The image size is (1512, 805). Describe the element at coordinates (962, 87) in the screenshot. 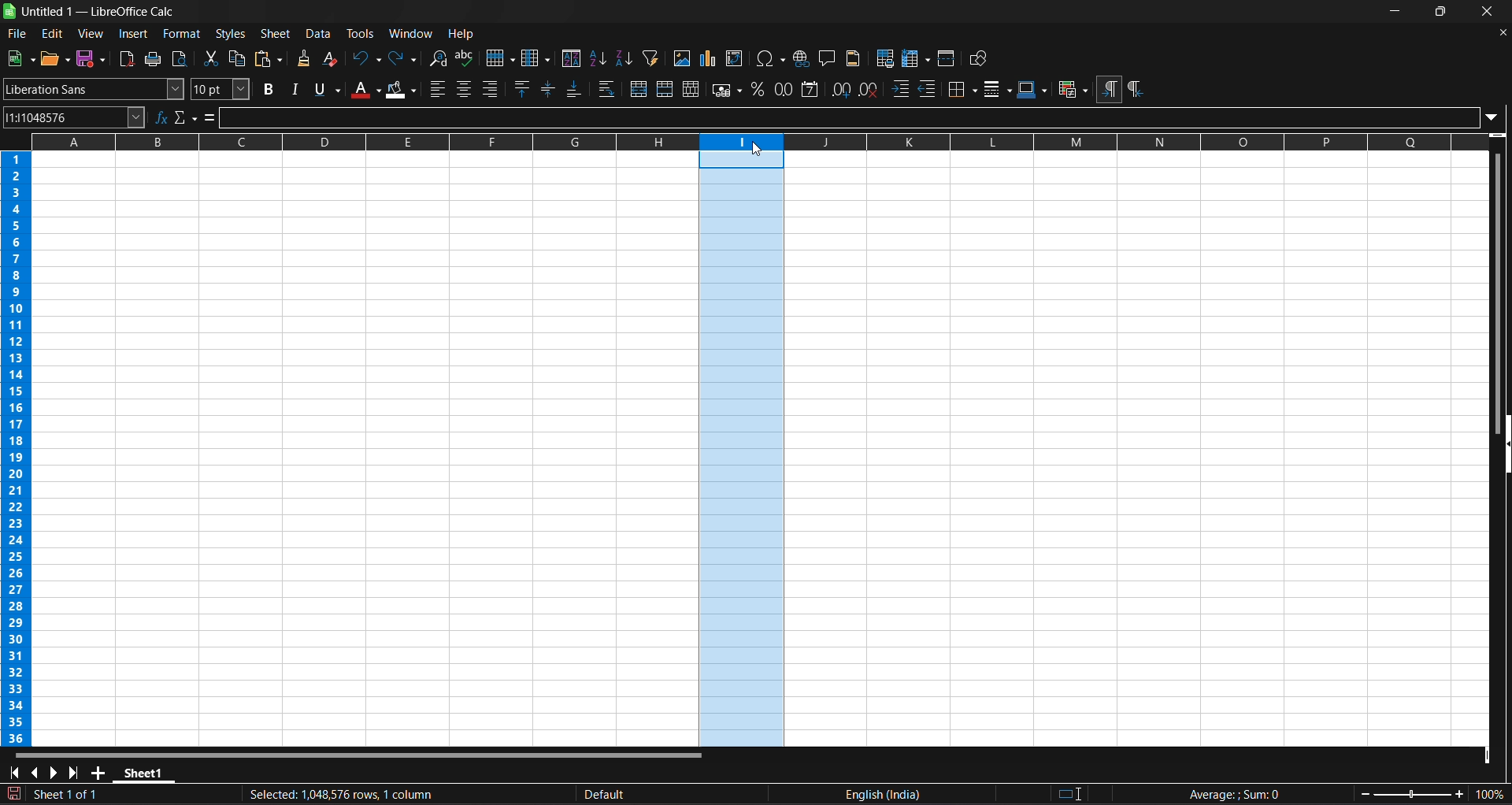

I see `borders` at that location.